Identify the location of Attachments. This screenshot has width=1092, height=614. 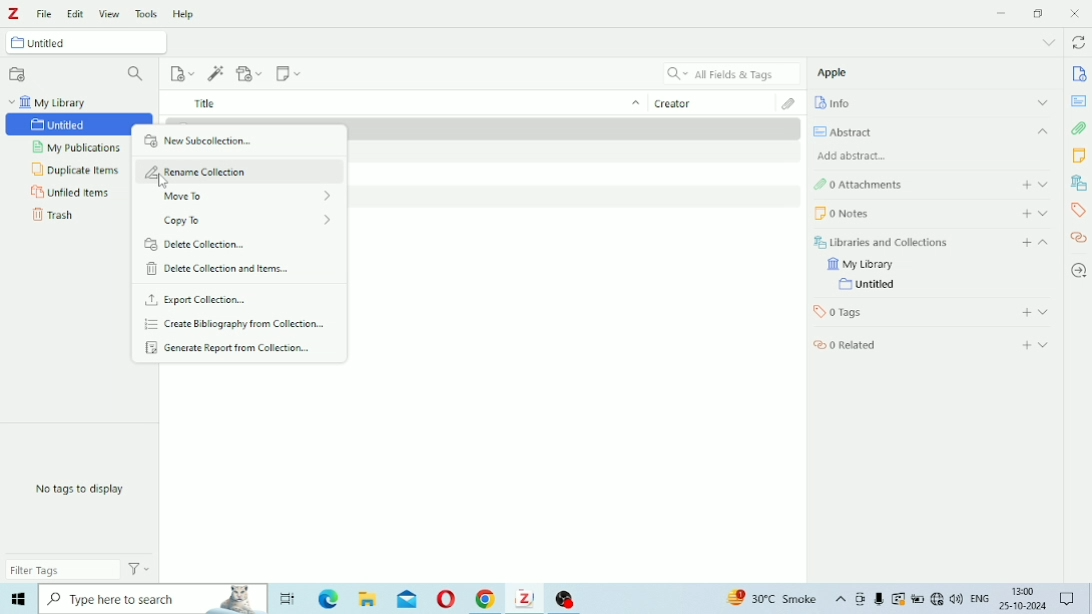
(858, 186).